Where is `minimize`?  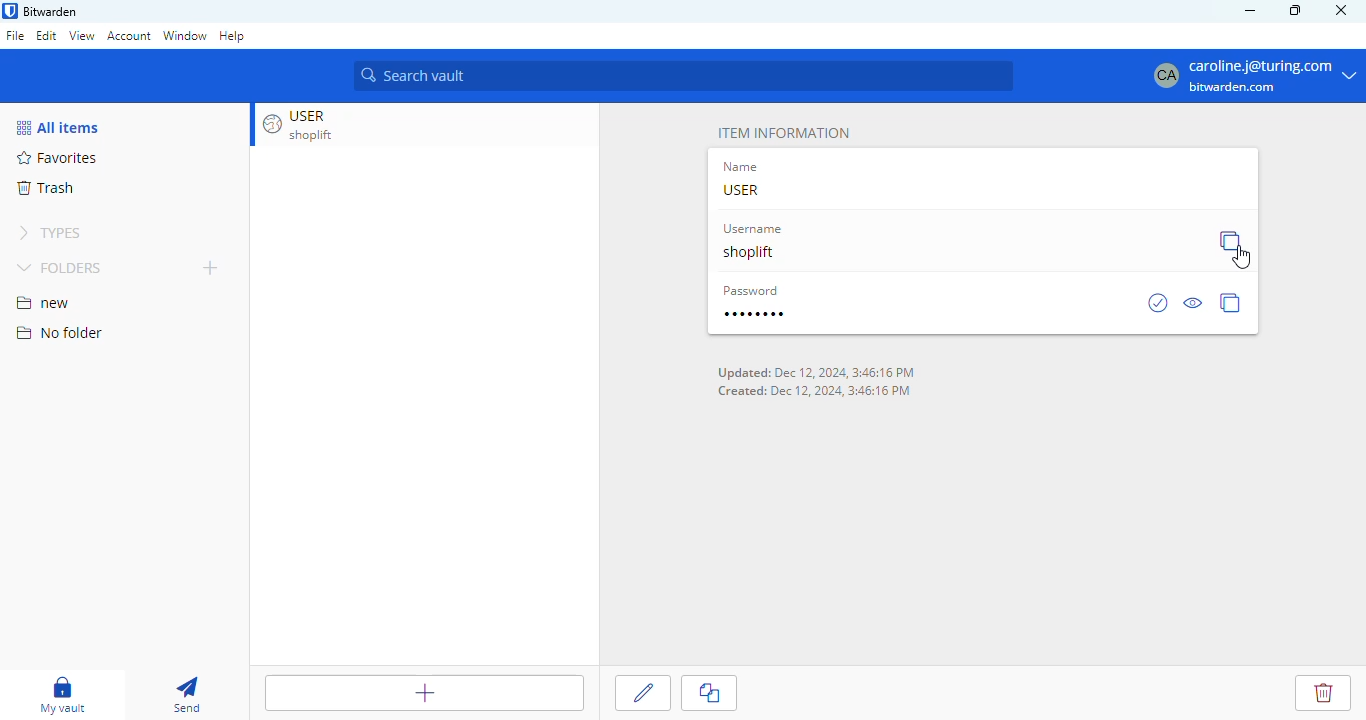
minimize is located at coordinates (1251, 11).